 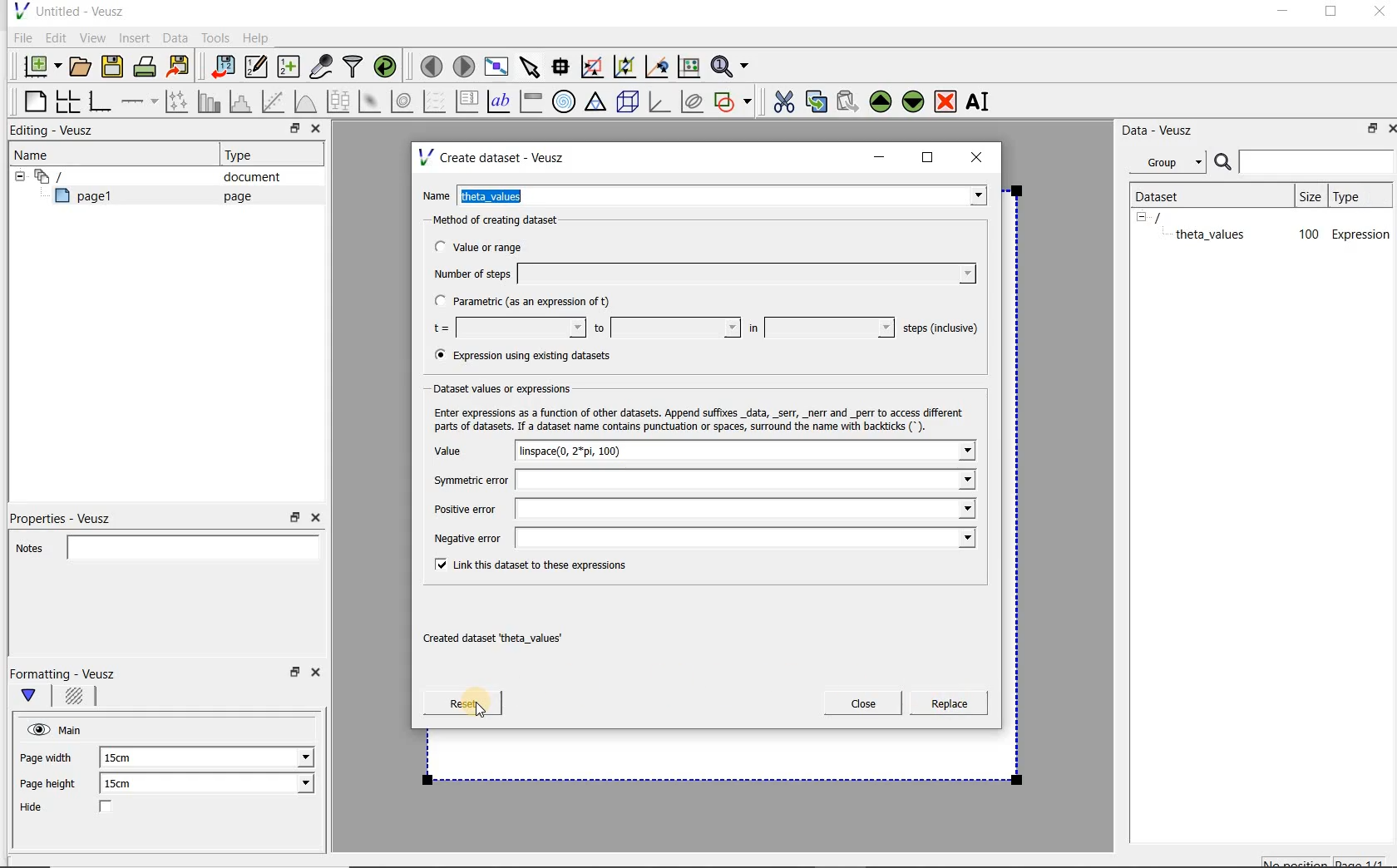 What do you see at coordinates (1363, 195) in the screenshot?
I see `Type` at bounding box center [1363, 195].